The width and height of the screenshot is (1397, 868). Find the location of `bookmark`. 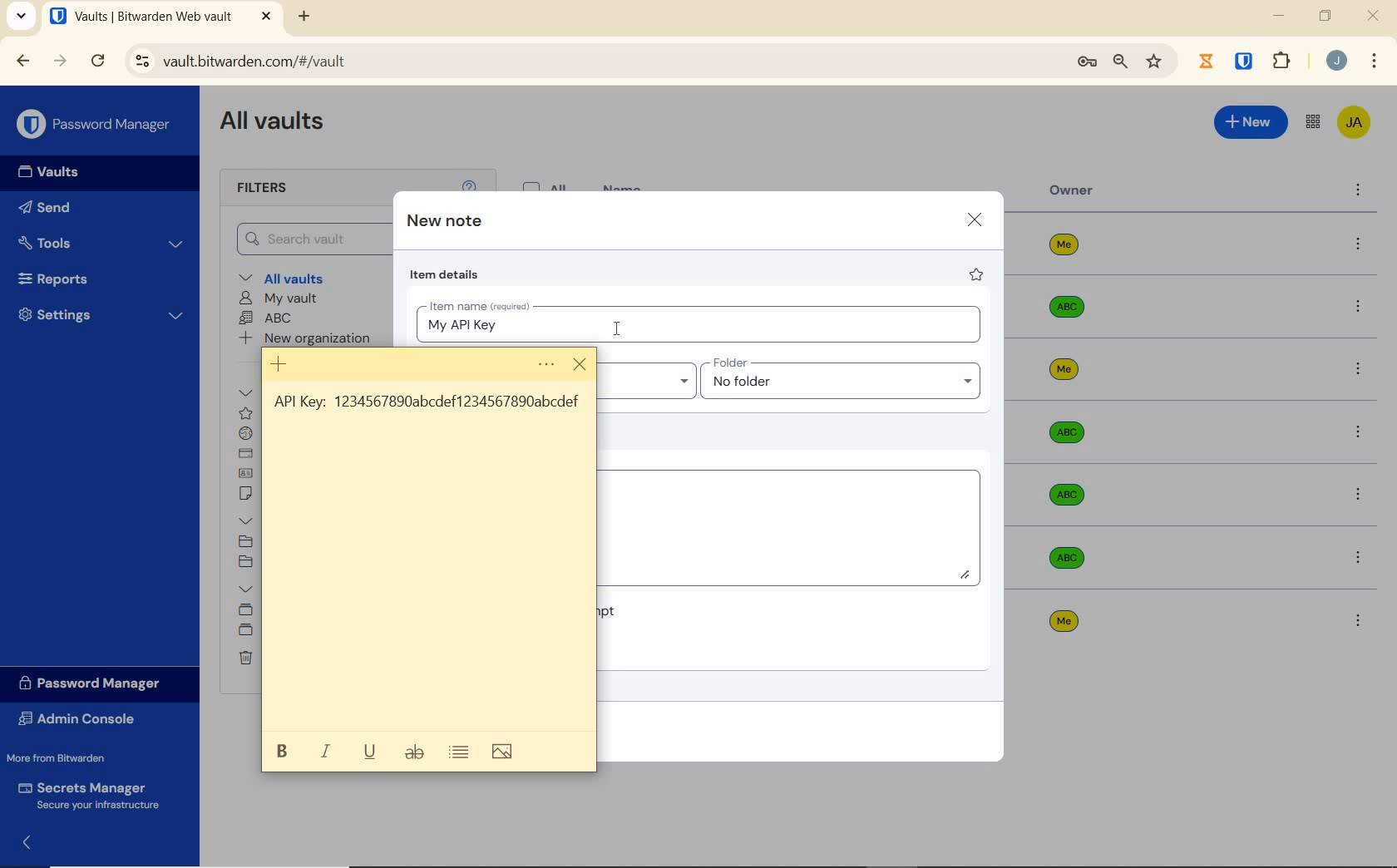

bookmark is located at coordinates (1154, 62).